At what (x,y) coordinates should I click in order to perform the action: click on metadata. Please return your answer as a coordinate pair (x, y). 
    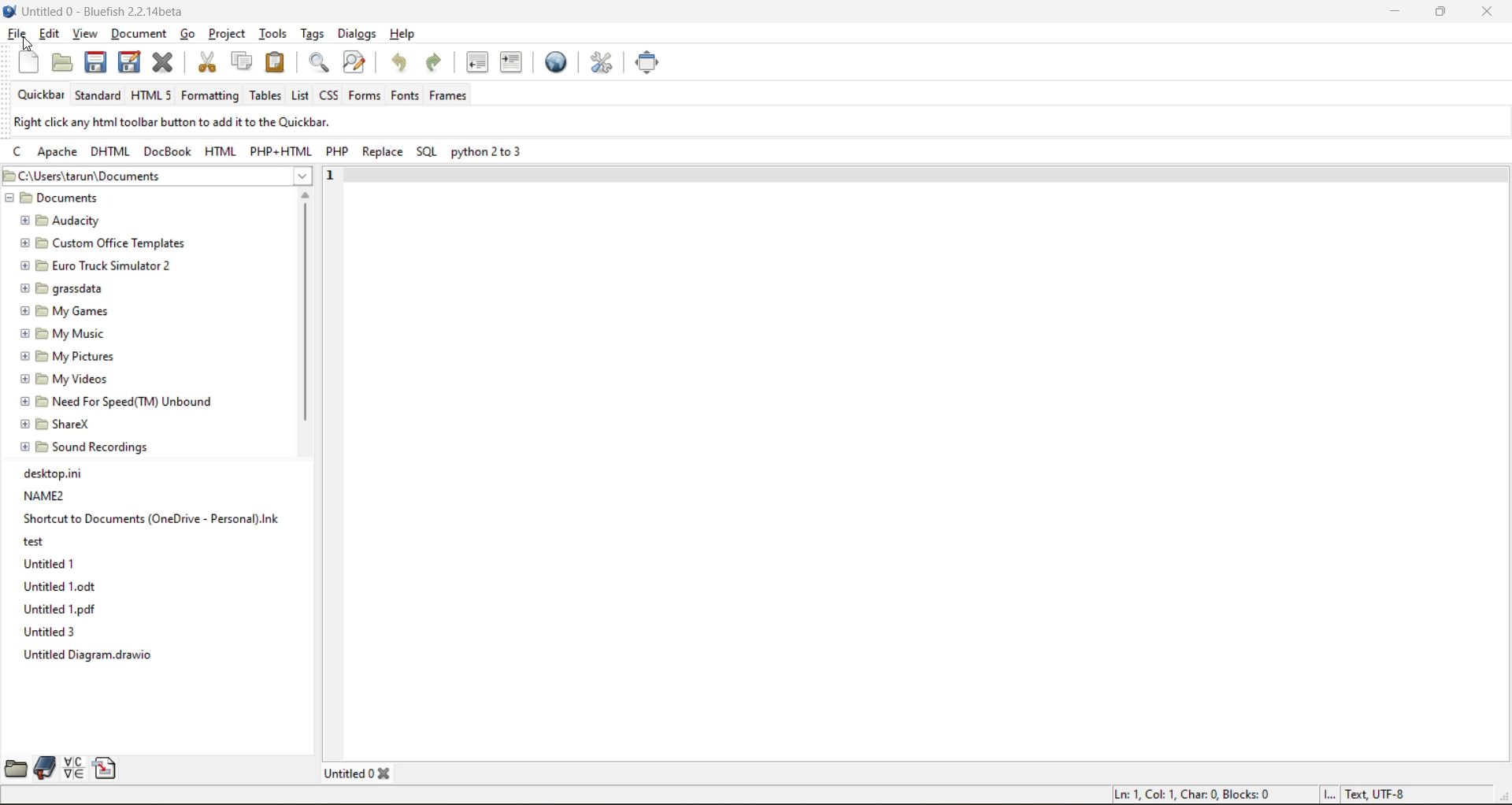
    Looking at the image, I should click on (198, 123).